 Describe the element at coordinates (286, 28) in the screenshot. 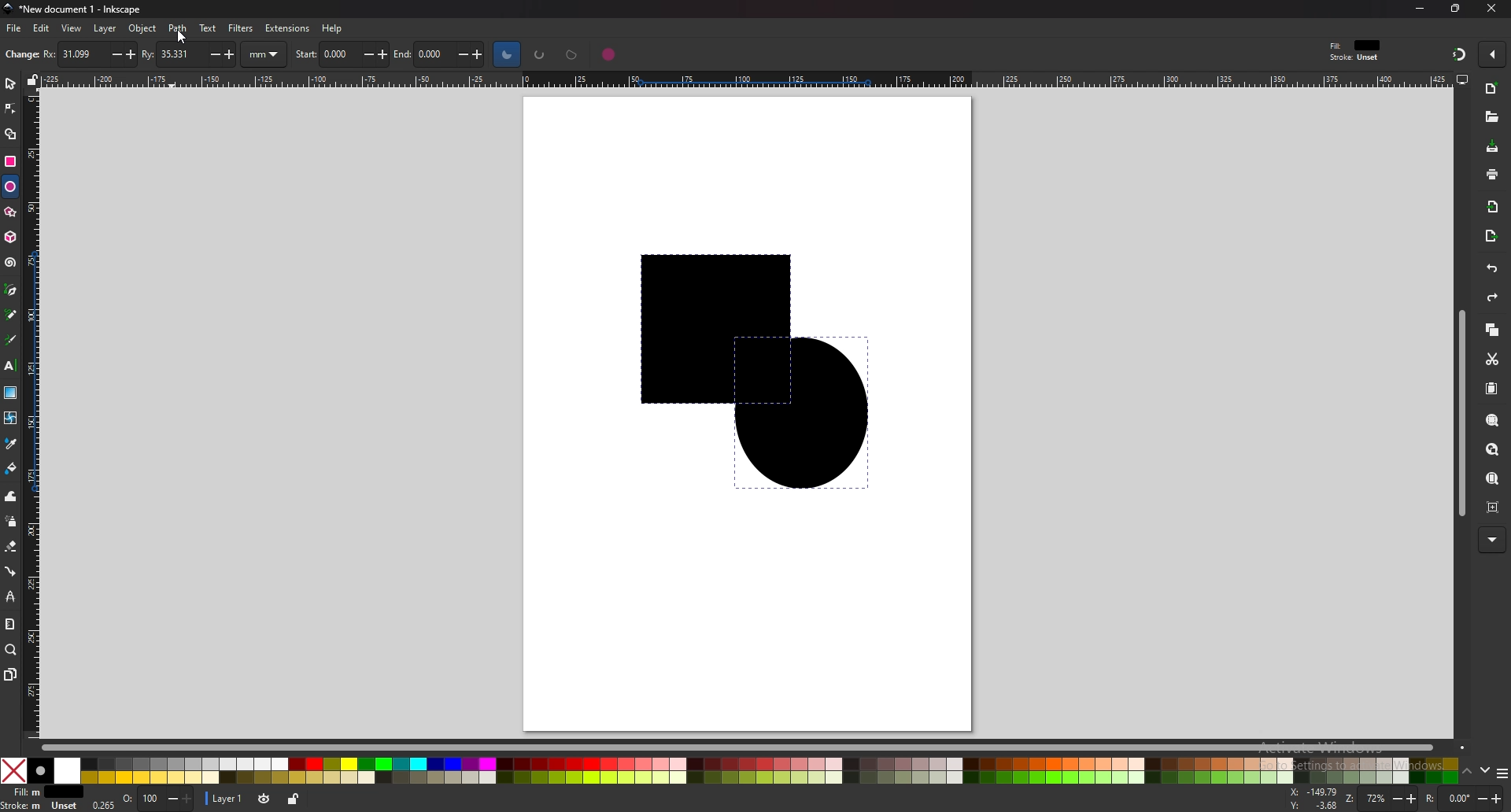

I see `extensions` at that location.